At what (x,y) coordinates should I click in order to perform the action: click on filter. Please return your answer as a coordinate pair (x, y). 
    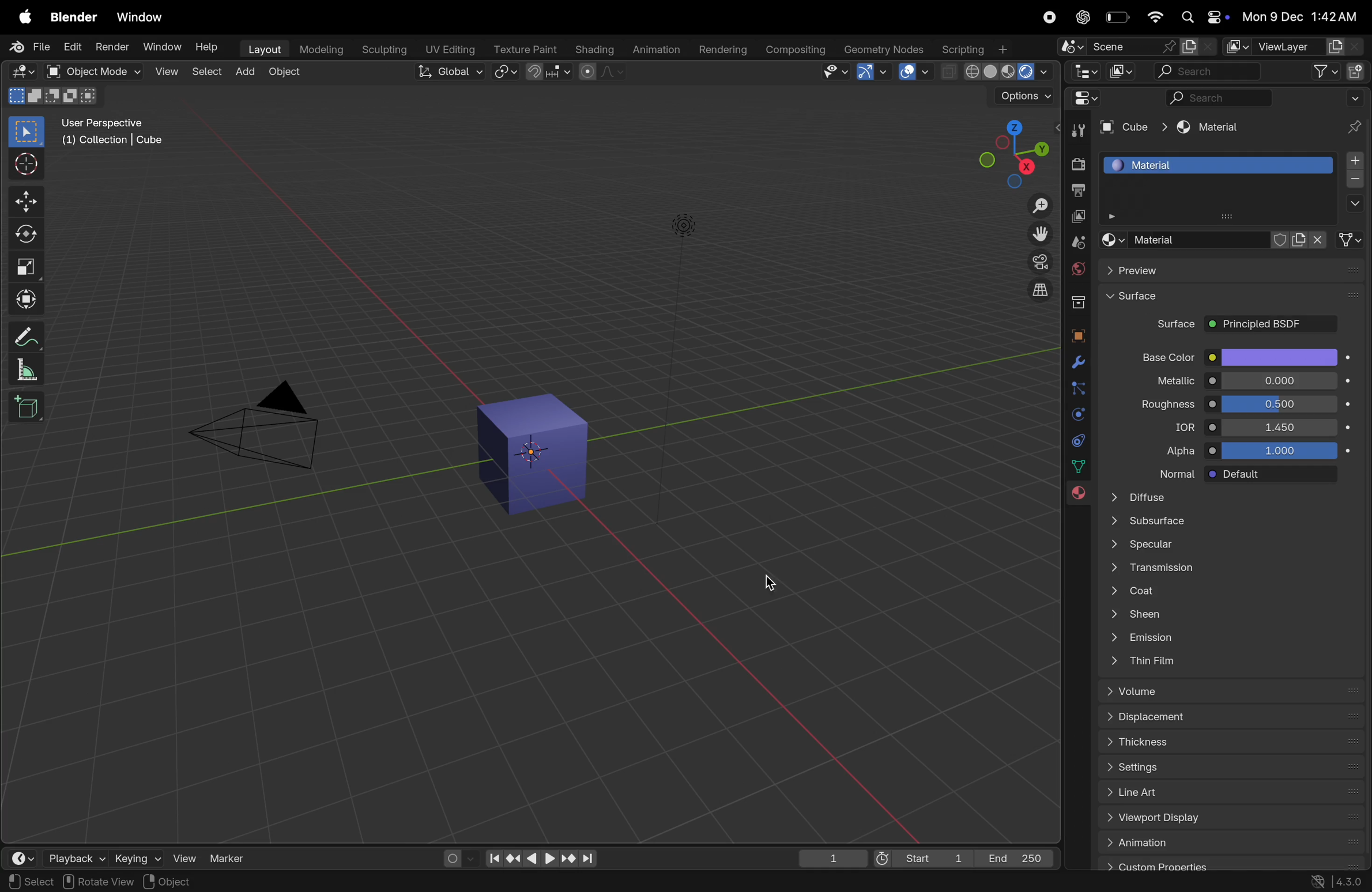
    Looking at the image, I should click on (1319, 71).